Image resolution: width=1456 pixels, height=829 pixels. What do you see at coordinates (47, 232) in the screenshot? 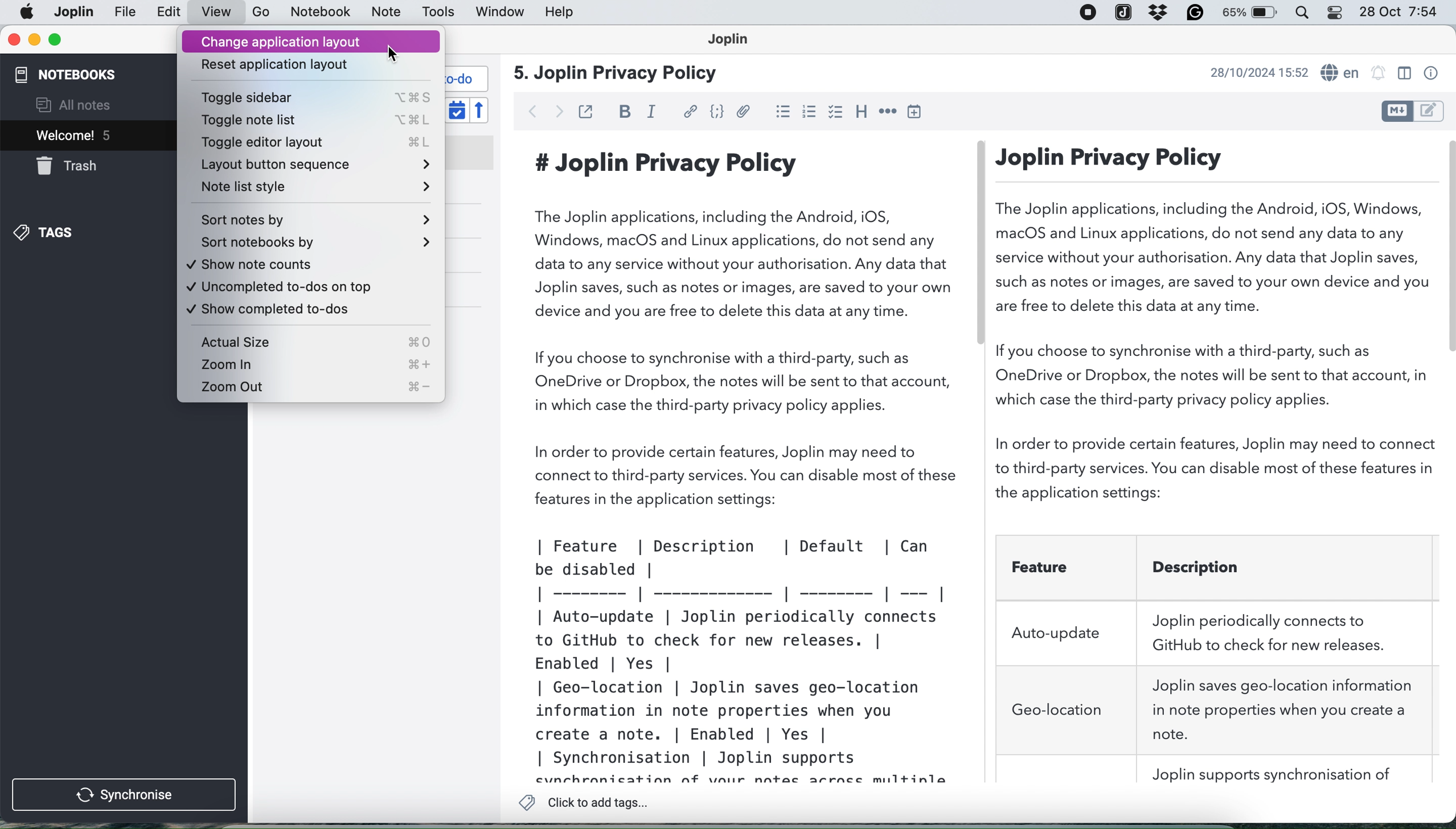
I see `tags` at bounding box center [47, 232].